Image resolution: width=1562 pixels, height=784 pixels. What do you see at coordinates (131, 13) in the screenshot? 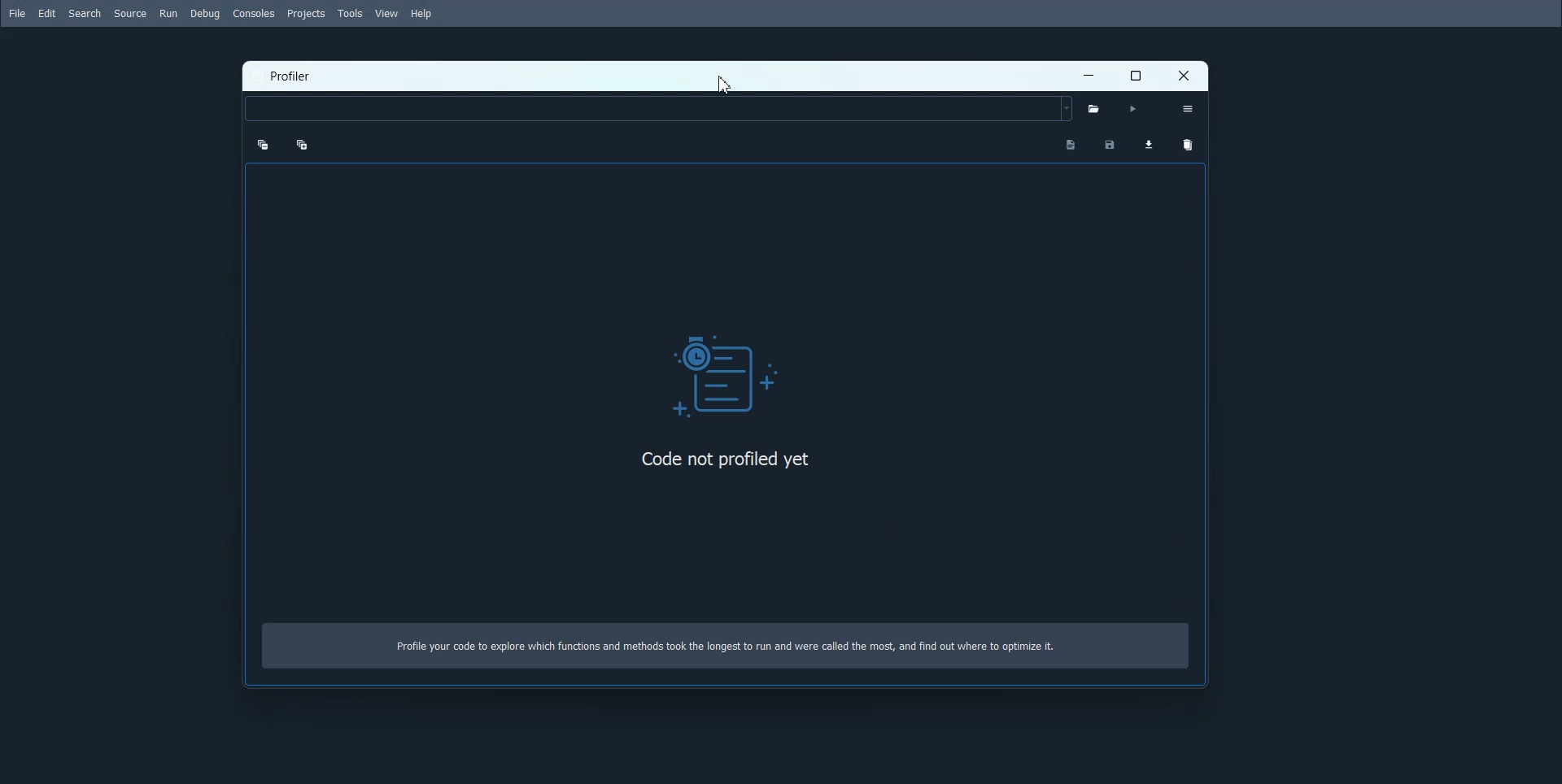
I see `Source` at bounding box center [131, 13].